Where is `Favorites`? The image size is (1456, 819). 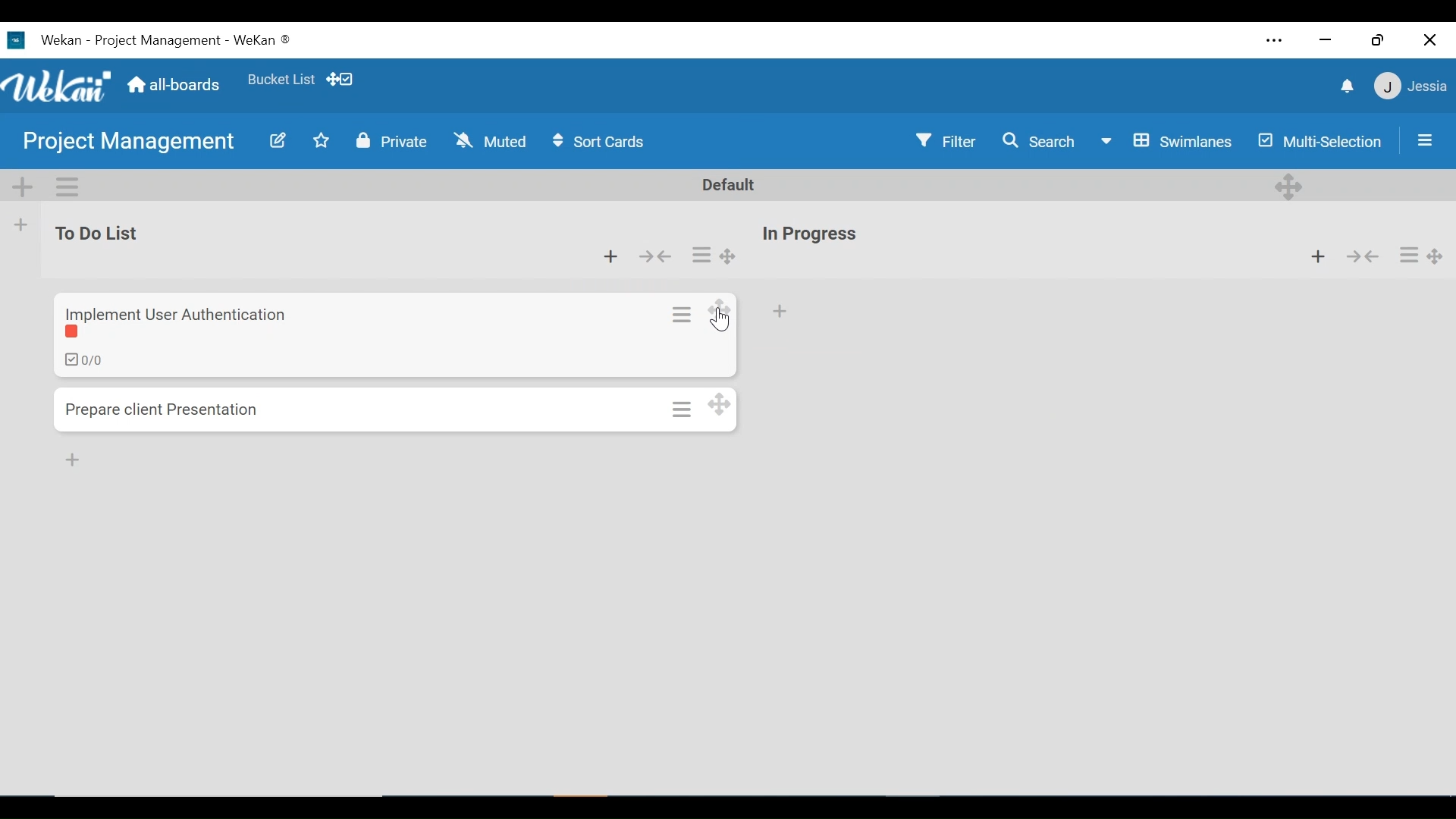
Favorites is located at coordinates (322, 140).